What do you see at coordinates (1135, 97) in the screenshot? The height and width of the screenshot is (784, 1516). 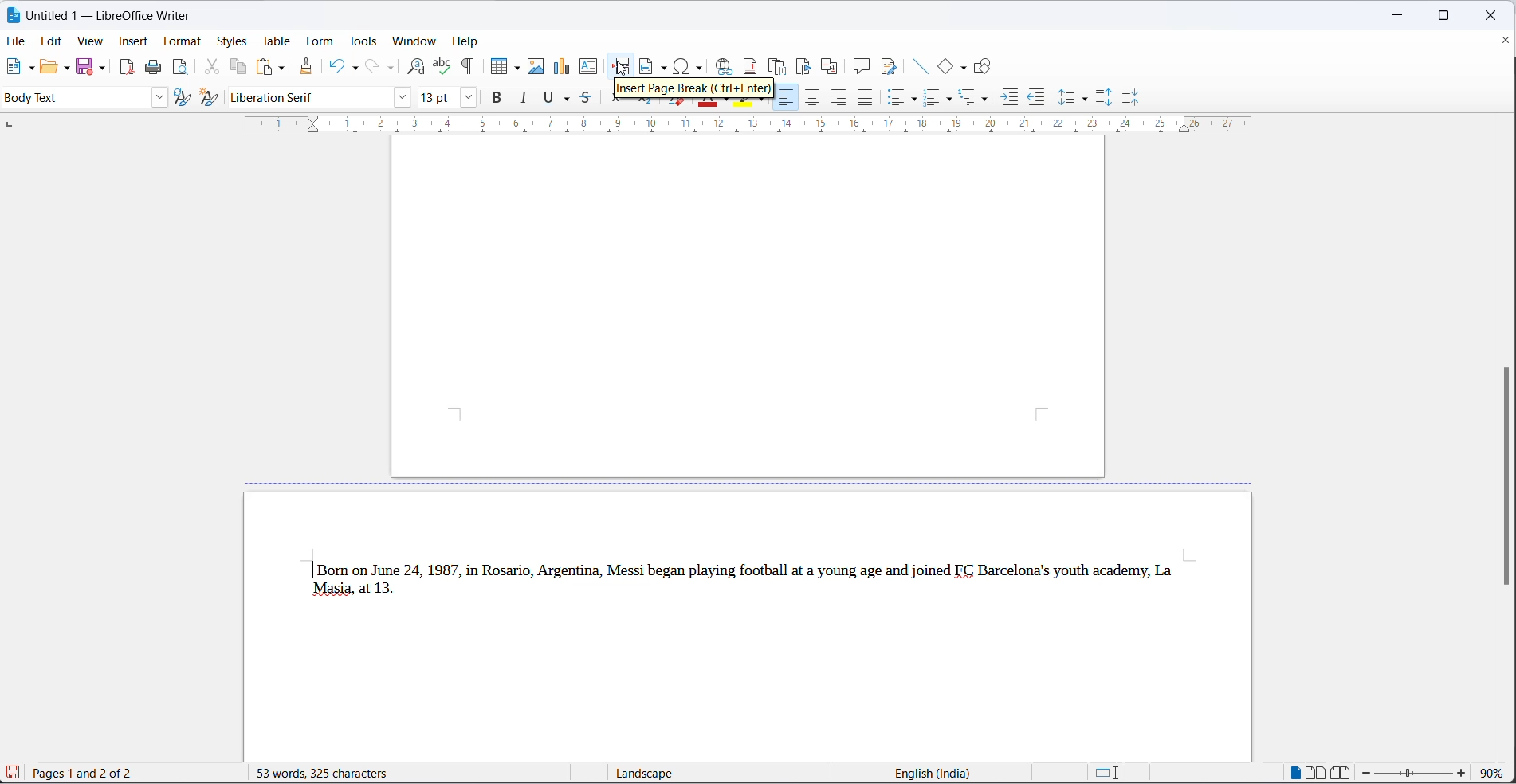 I see `decrease paragraph spacing` at bounding box center [1135, 97].